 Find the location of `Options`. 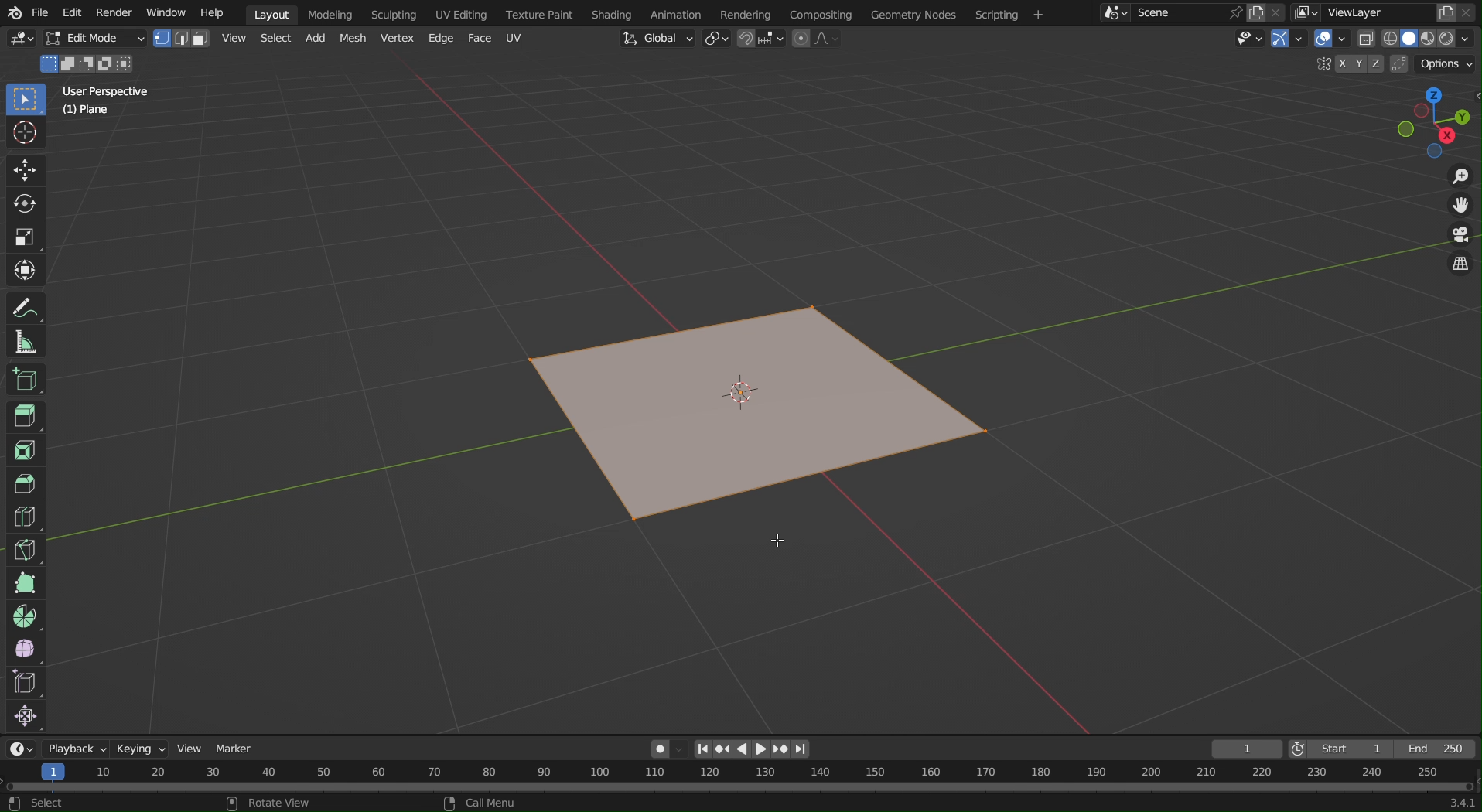

Options is located at coordinates (1446, 64).